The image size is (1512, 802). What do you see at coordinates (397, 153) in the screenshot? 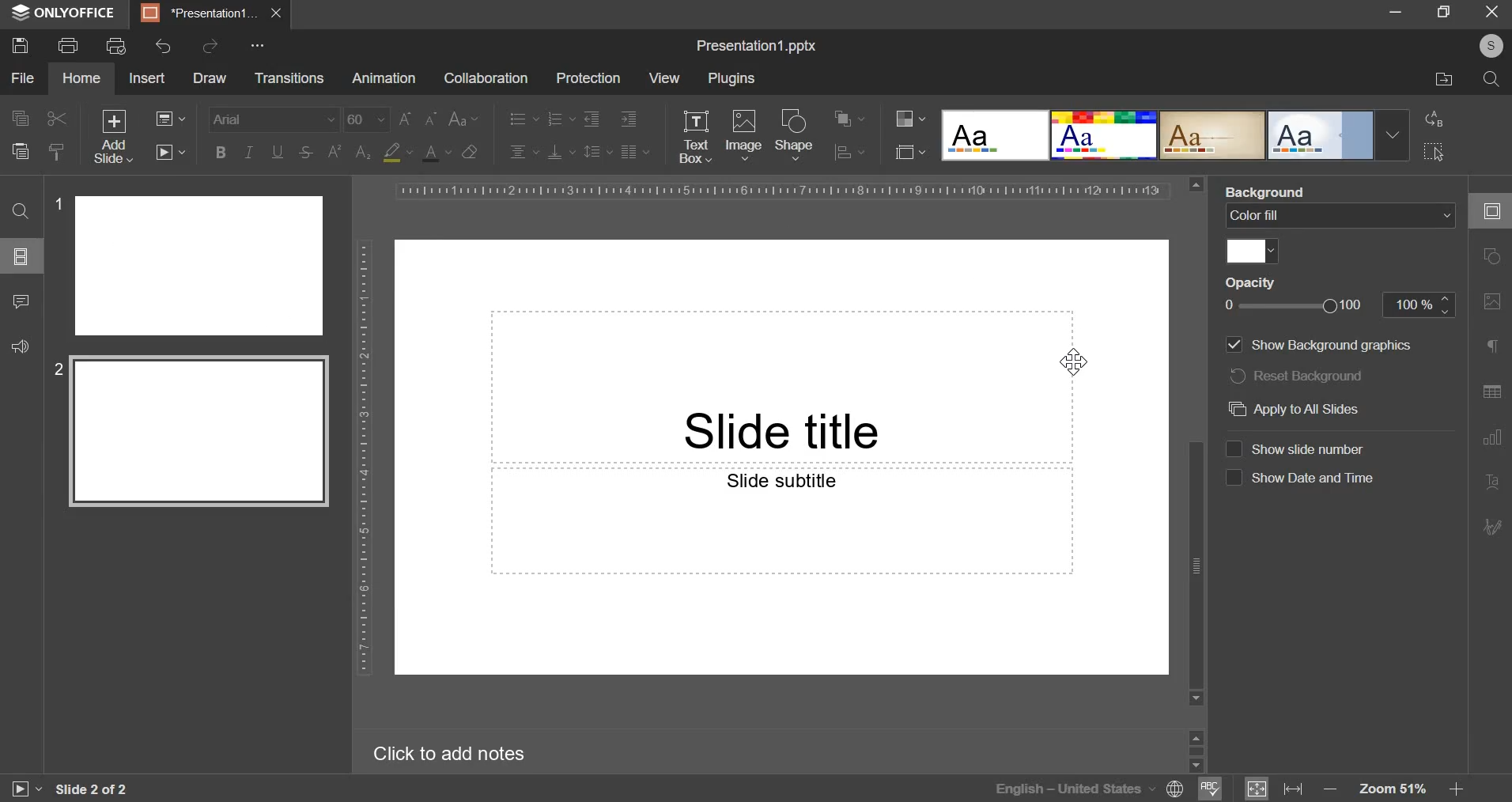
I see `fill color` at bounding box center [397, 153].